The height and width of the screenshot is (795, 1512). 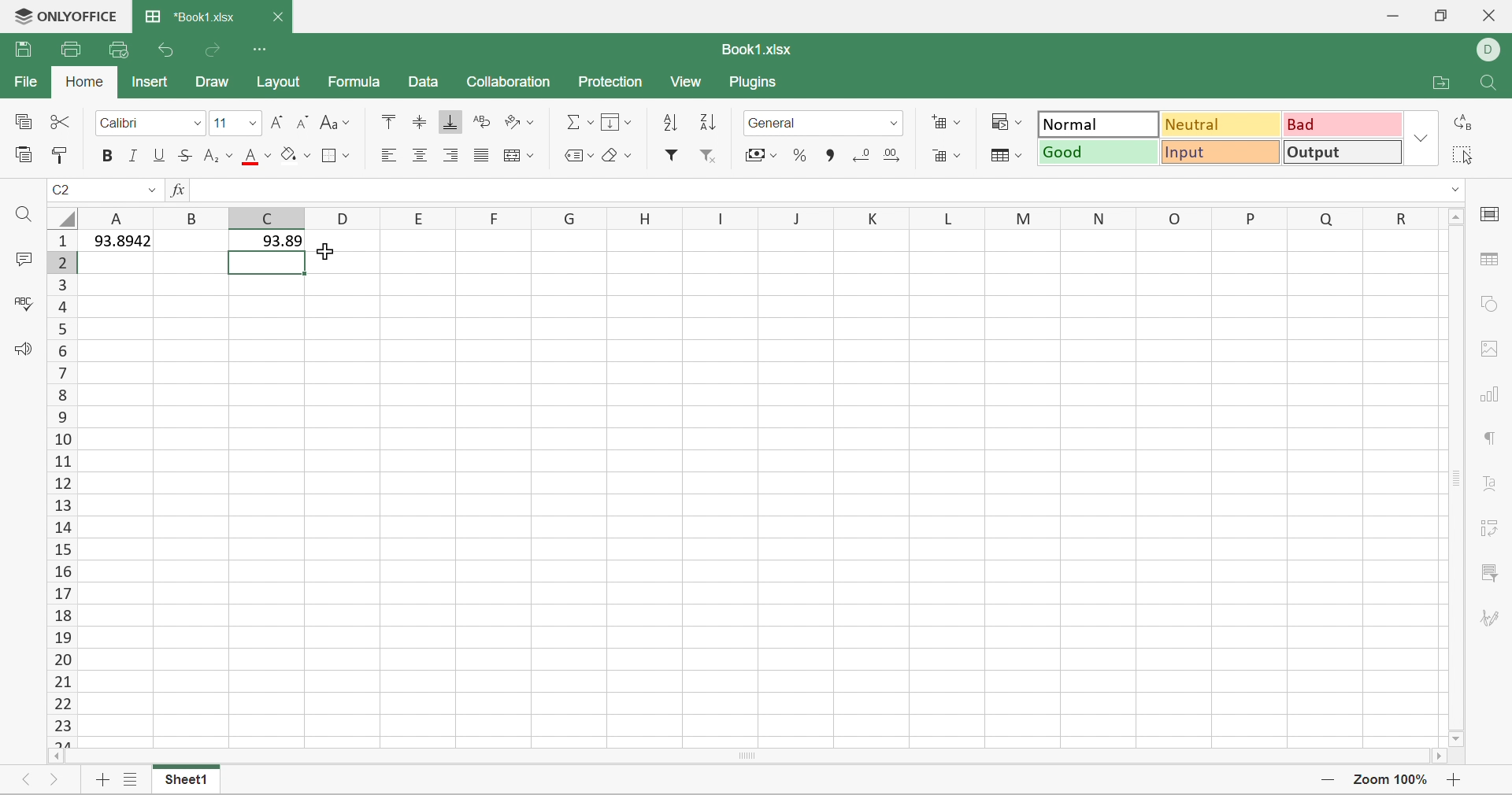 I want to click on Fill color, so click(x=295, y=153).